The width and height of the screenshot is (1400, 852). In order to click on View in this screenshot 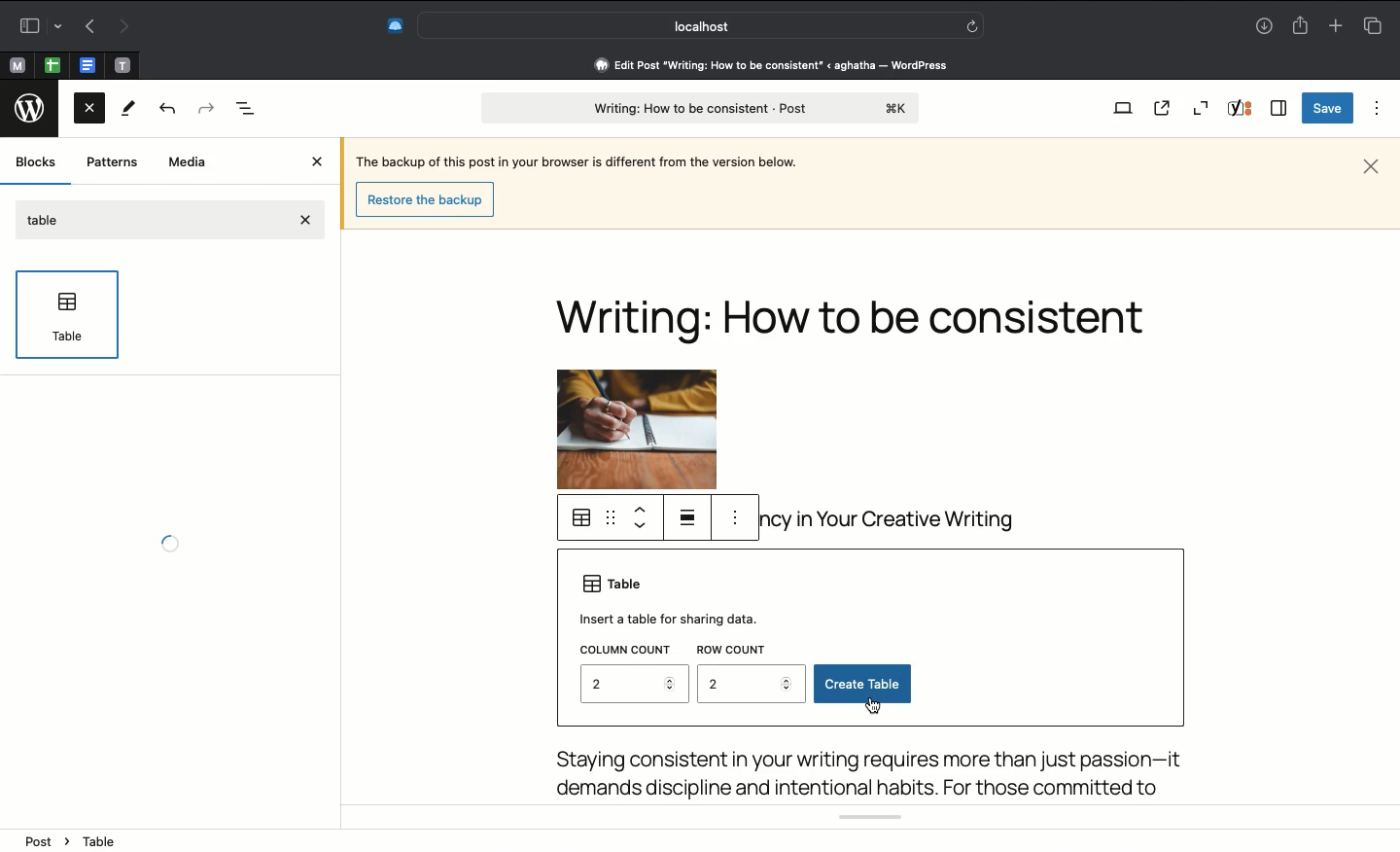, I will do `click(1119, 110)`.